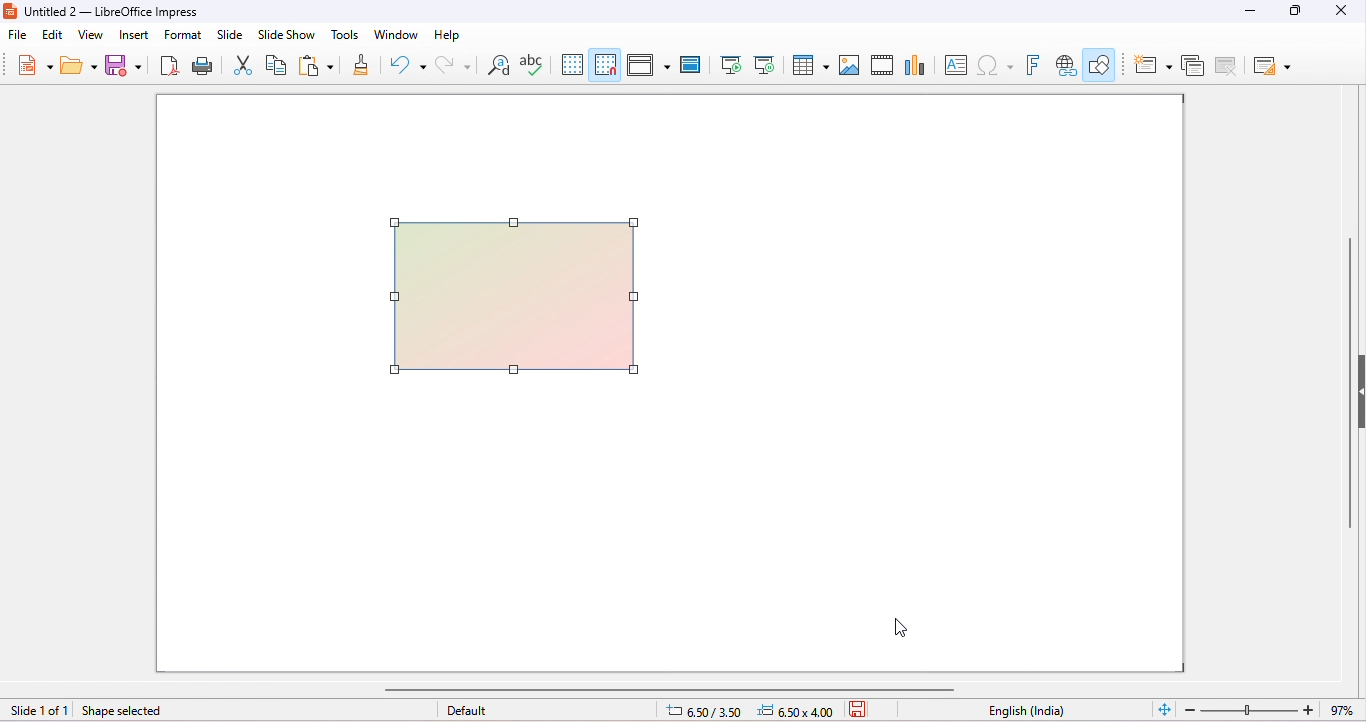 This screenshot has height=722, width=1366. I want to click on duplicate slide, so click(1193, 68).